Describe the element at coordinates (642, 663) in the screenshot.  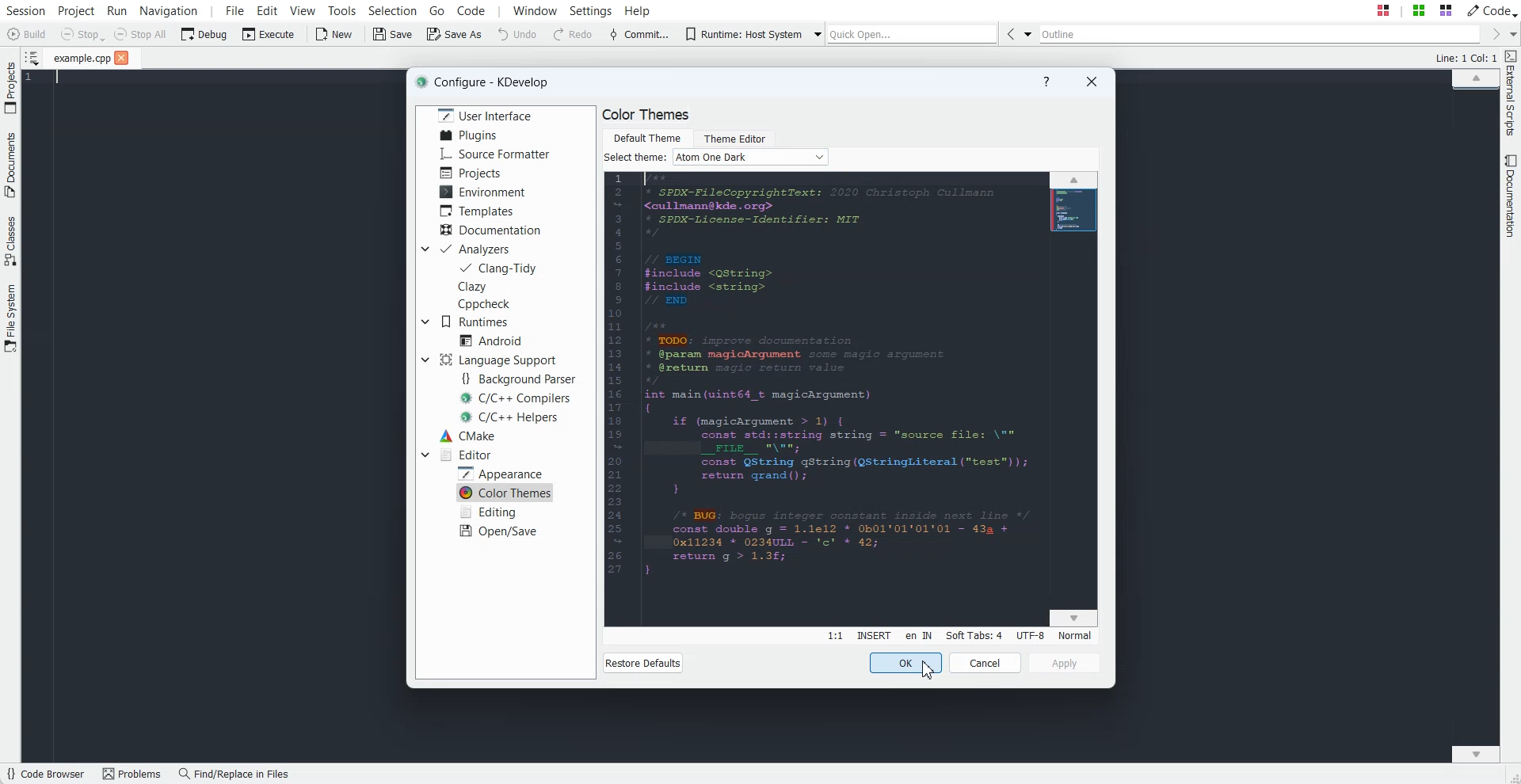
I see `Restore Default` at that location.